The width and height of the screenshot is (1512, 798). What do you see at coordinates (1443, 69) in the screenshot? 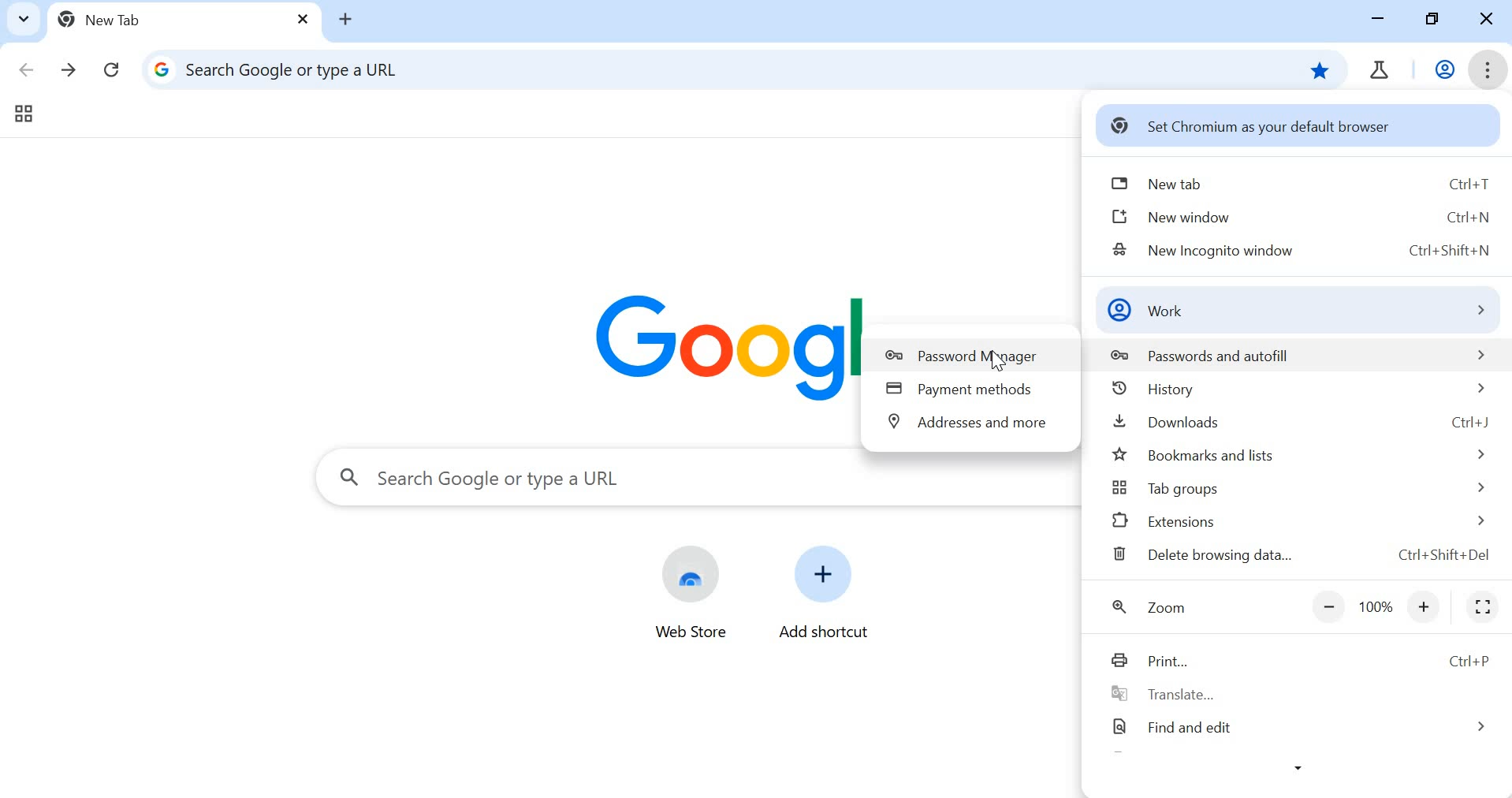
I see `work` at bounding box center [1443, 69].